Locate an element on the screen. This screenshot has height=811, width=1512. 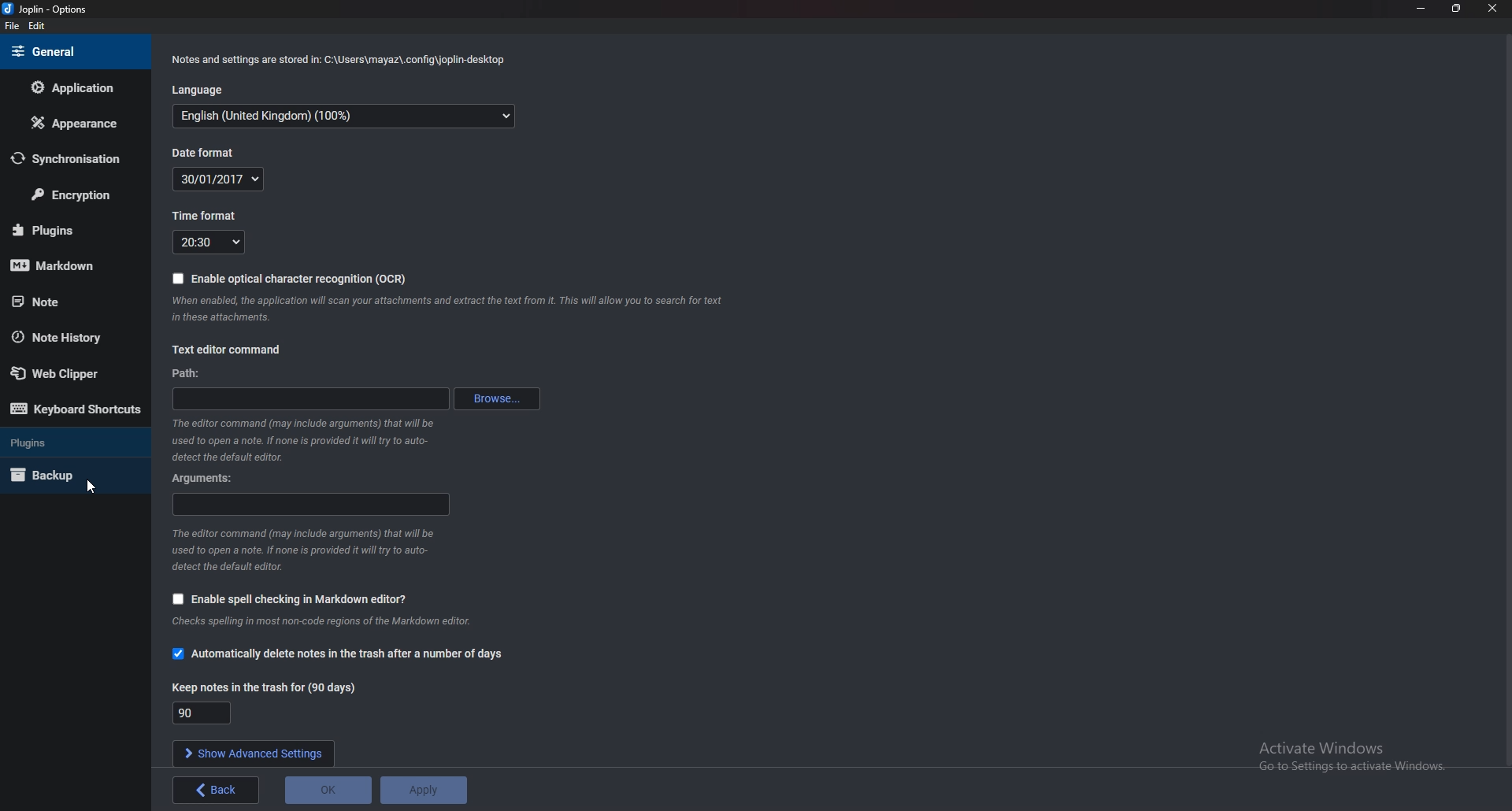
Info on editor command is located at coordinates (306, 440).